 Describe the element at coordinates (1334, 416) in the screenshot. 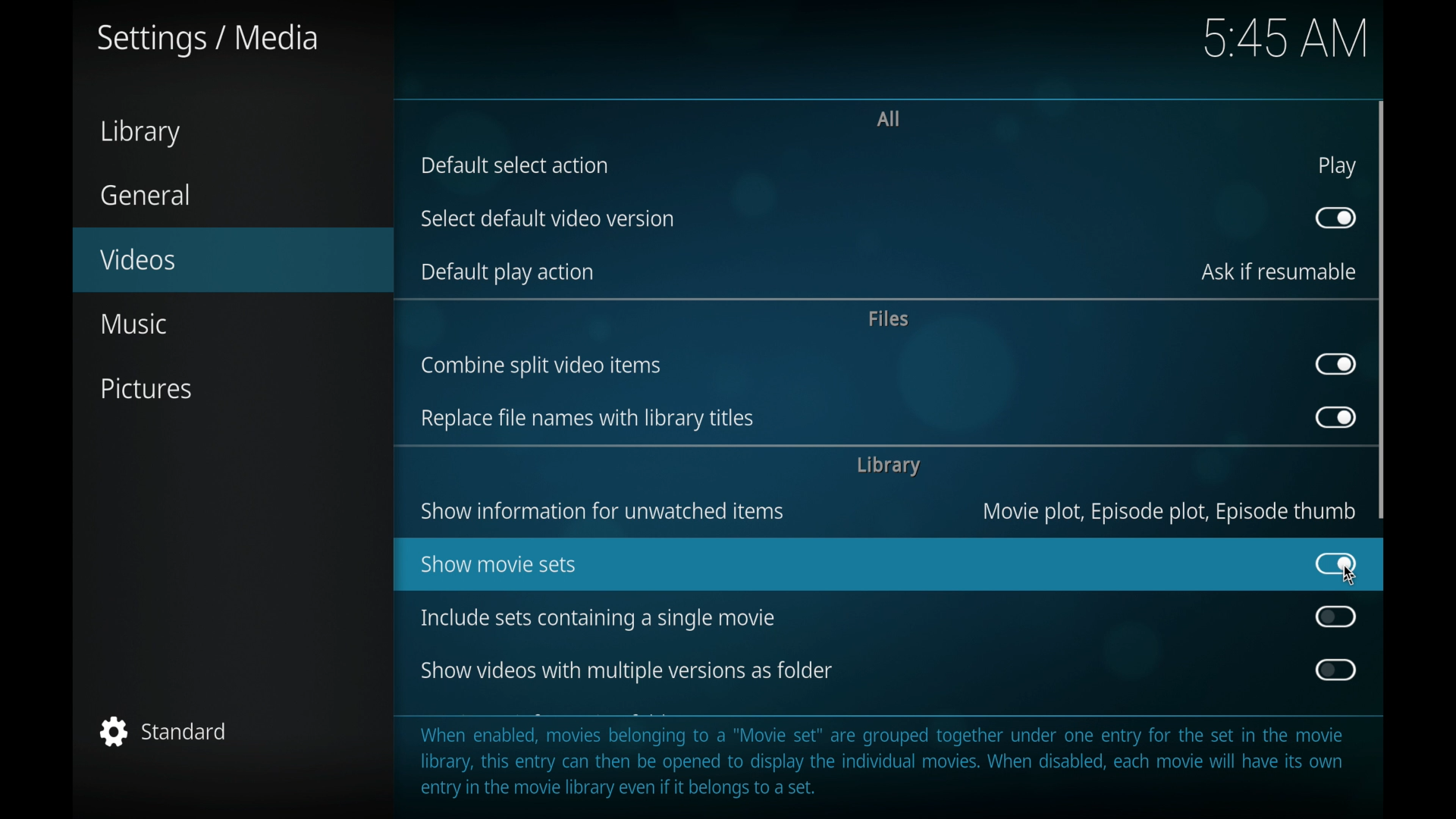

I see `toggle button` at that location.